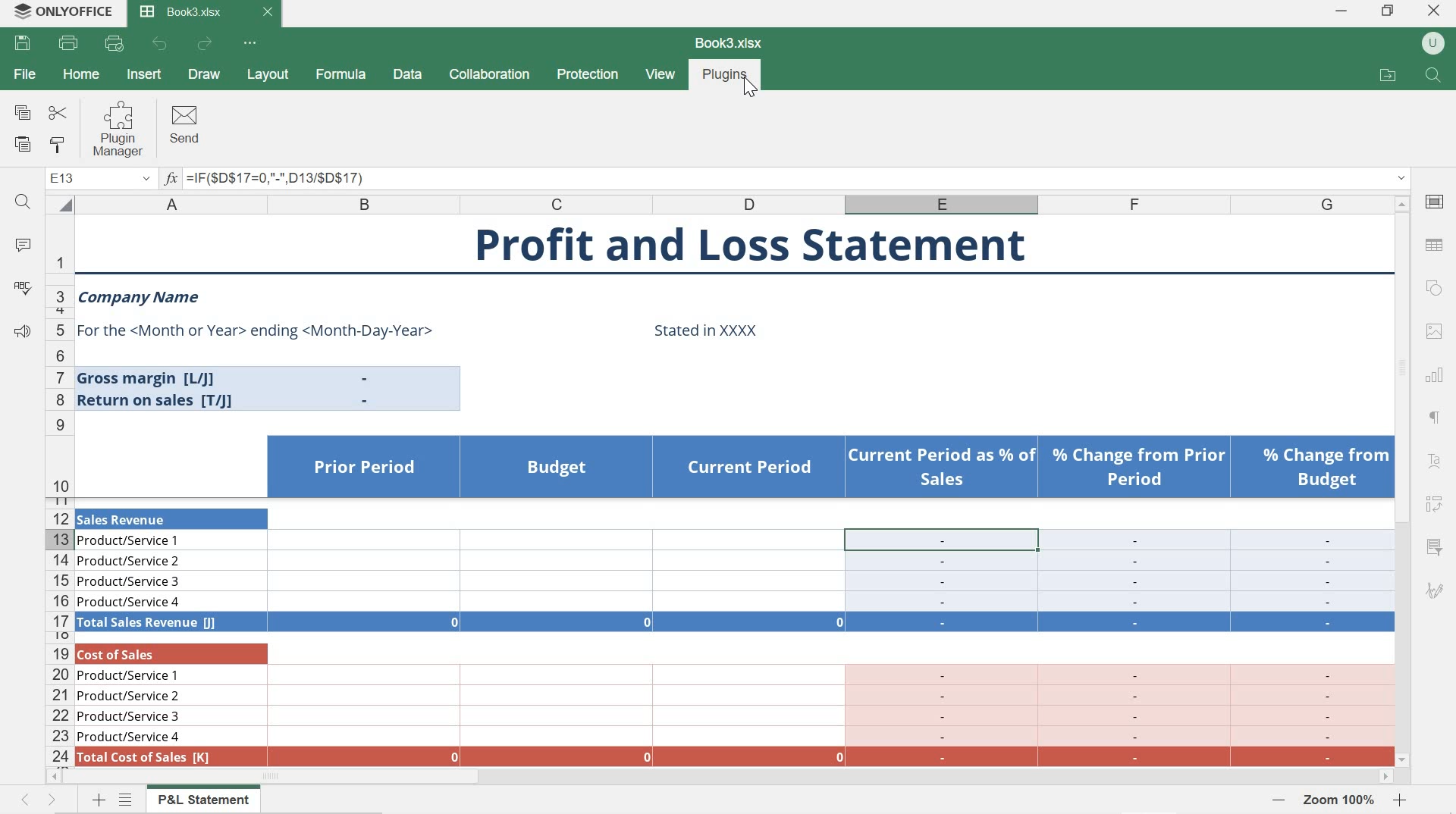  Describe the element at coordinates (130, 675) in the screenshot. I see `Product/Service 1` at that location.